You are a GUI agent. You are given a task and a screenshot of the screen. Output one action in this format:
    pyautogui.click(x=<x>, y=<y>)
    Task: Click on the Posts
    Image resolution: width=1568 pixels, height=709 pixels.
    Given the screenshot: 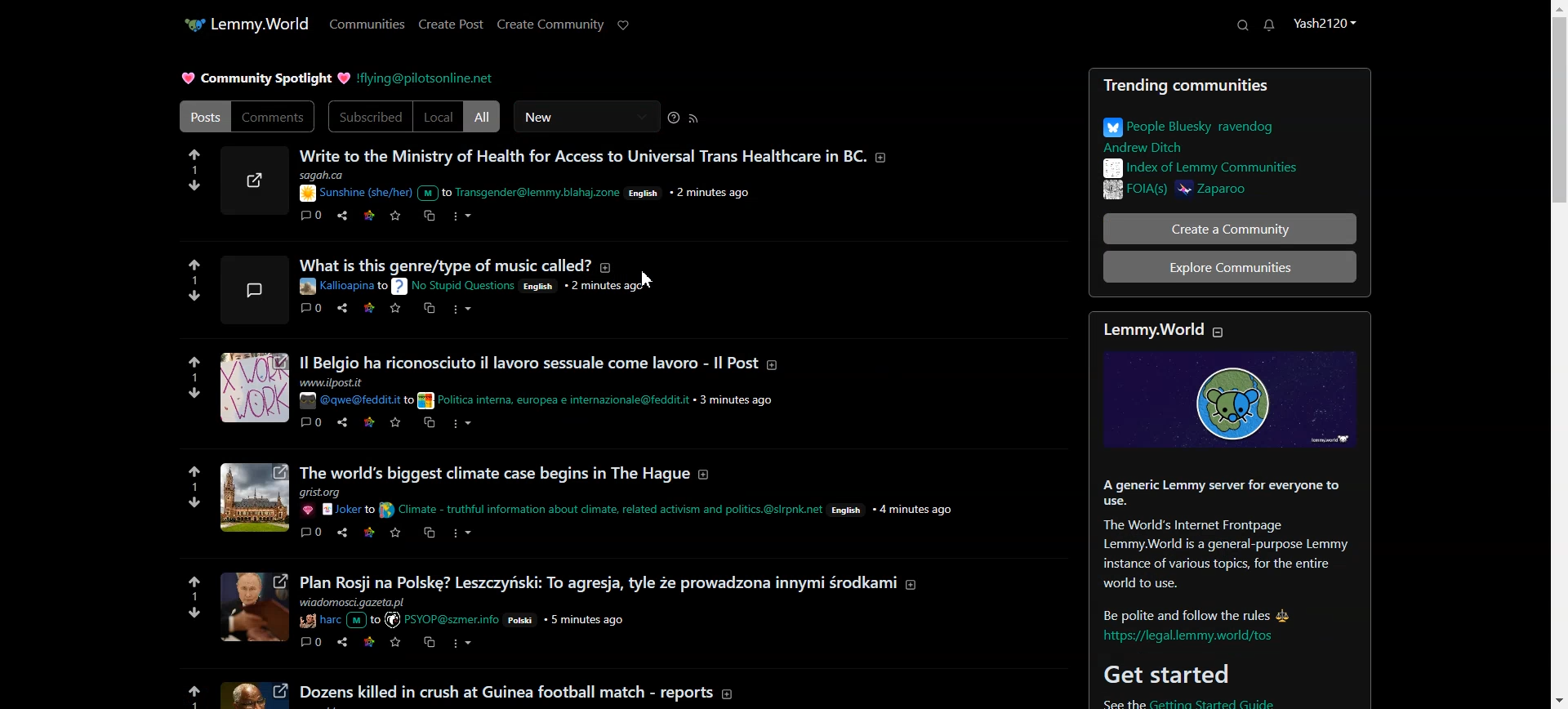 What is the action you would take?
    pyautogui.click(x=1230, y=87)
    